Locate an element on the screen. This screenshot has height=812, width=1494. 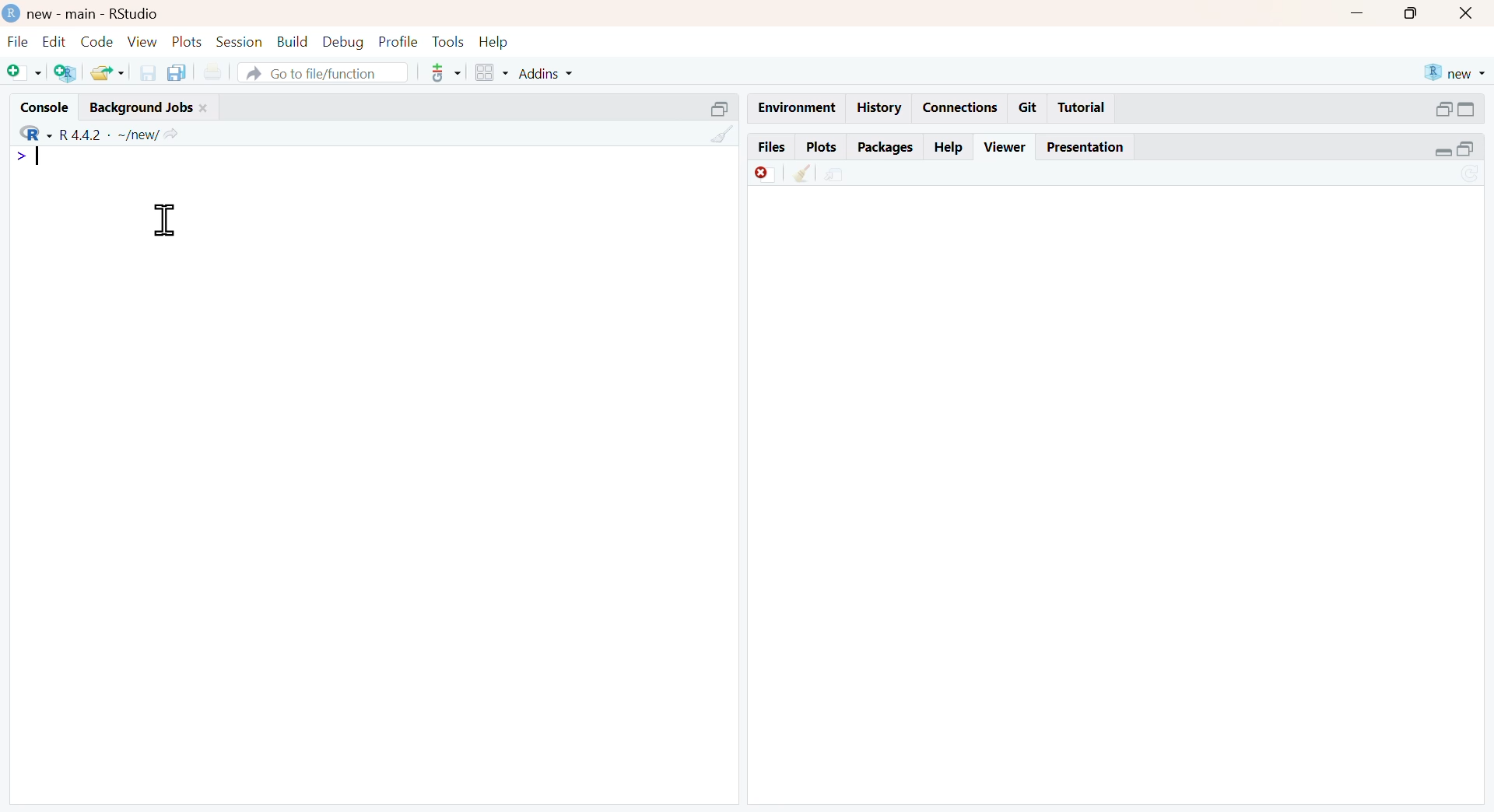
File is located at coordinates (16, 41).